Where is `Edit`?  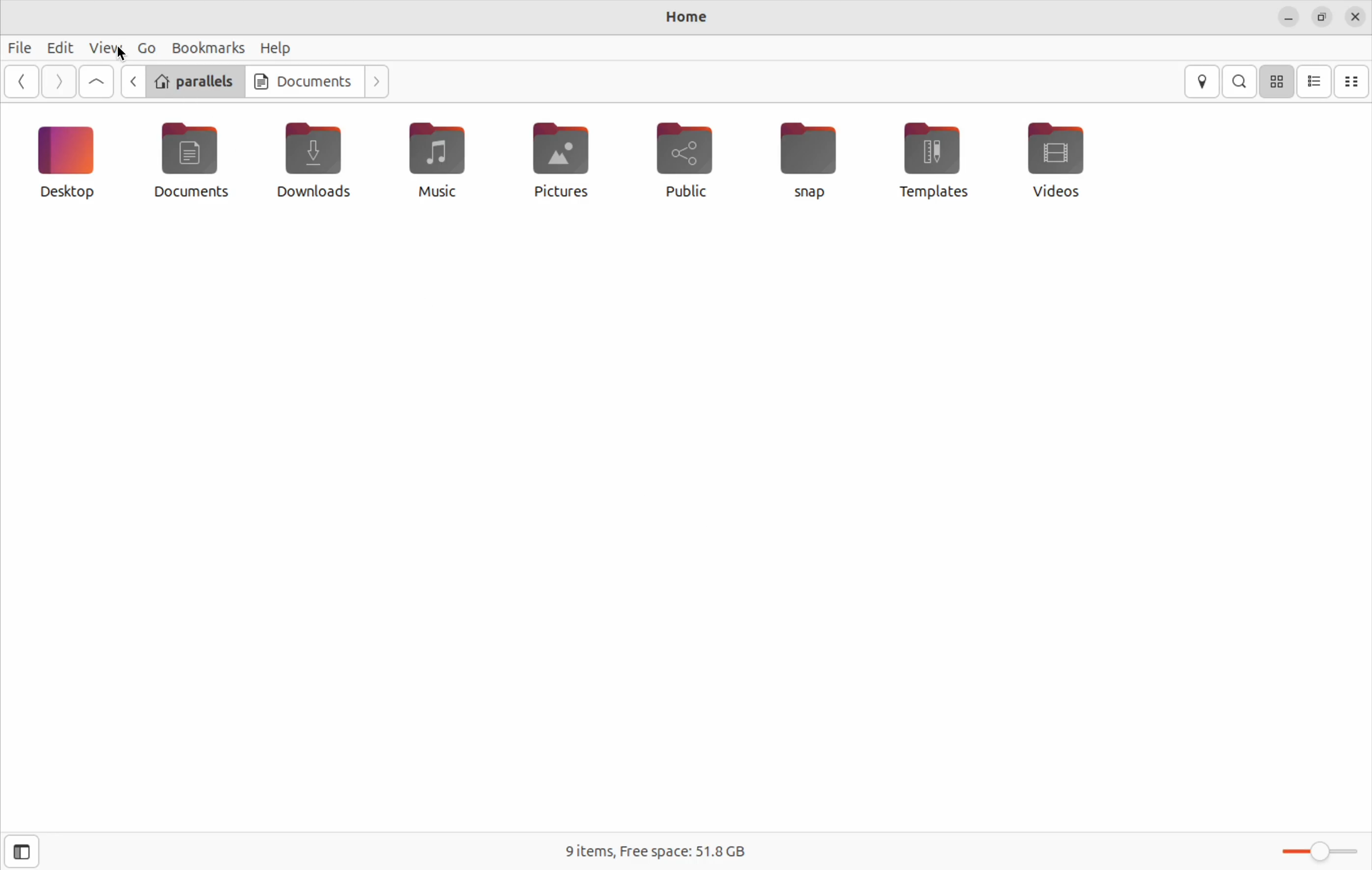 Edit is located at coordinates (58, 48).